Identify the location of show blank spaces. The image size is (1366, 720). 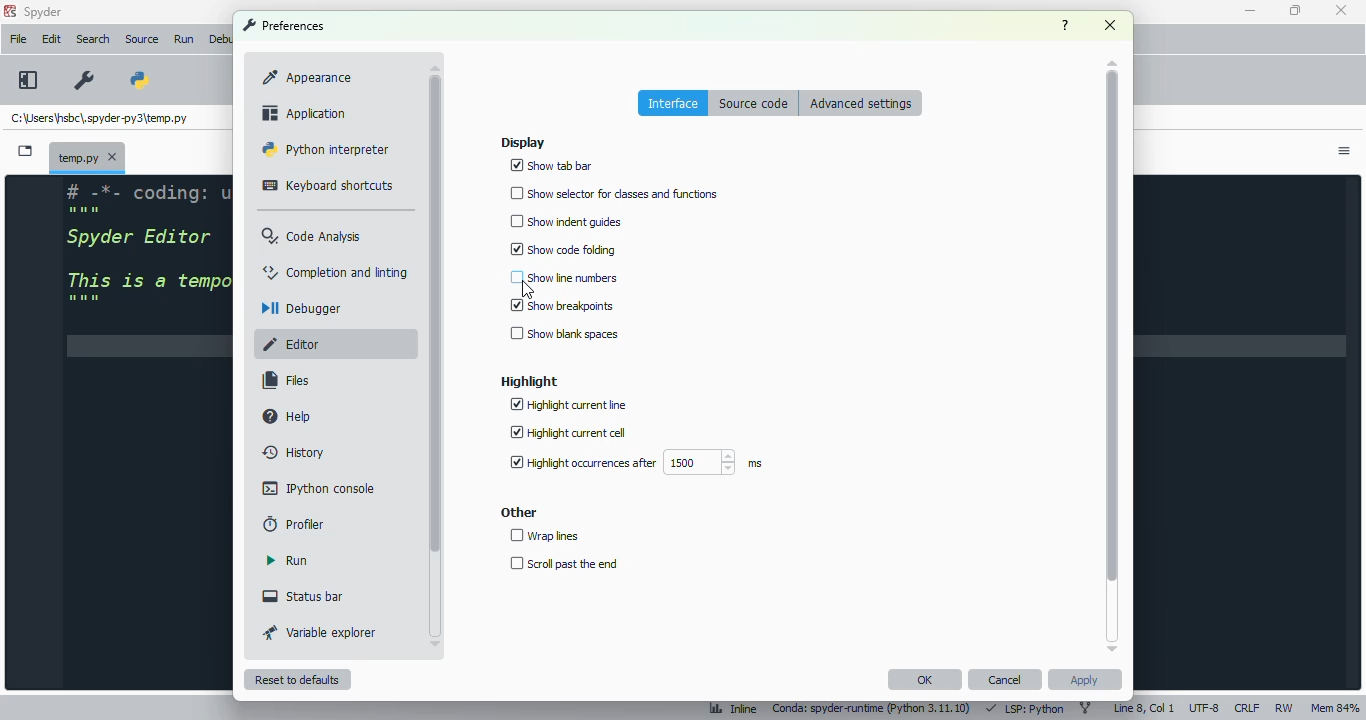
(563, 335).